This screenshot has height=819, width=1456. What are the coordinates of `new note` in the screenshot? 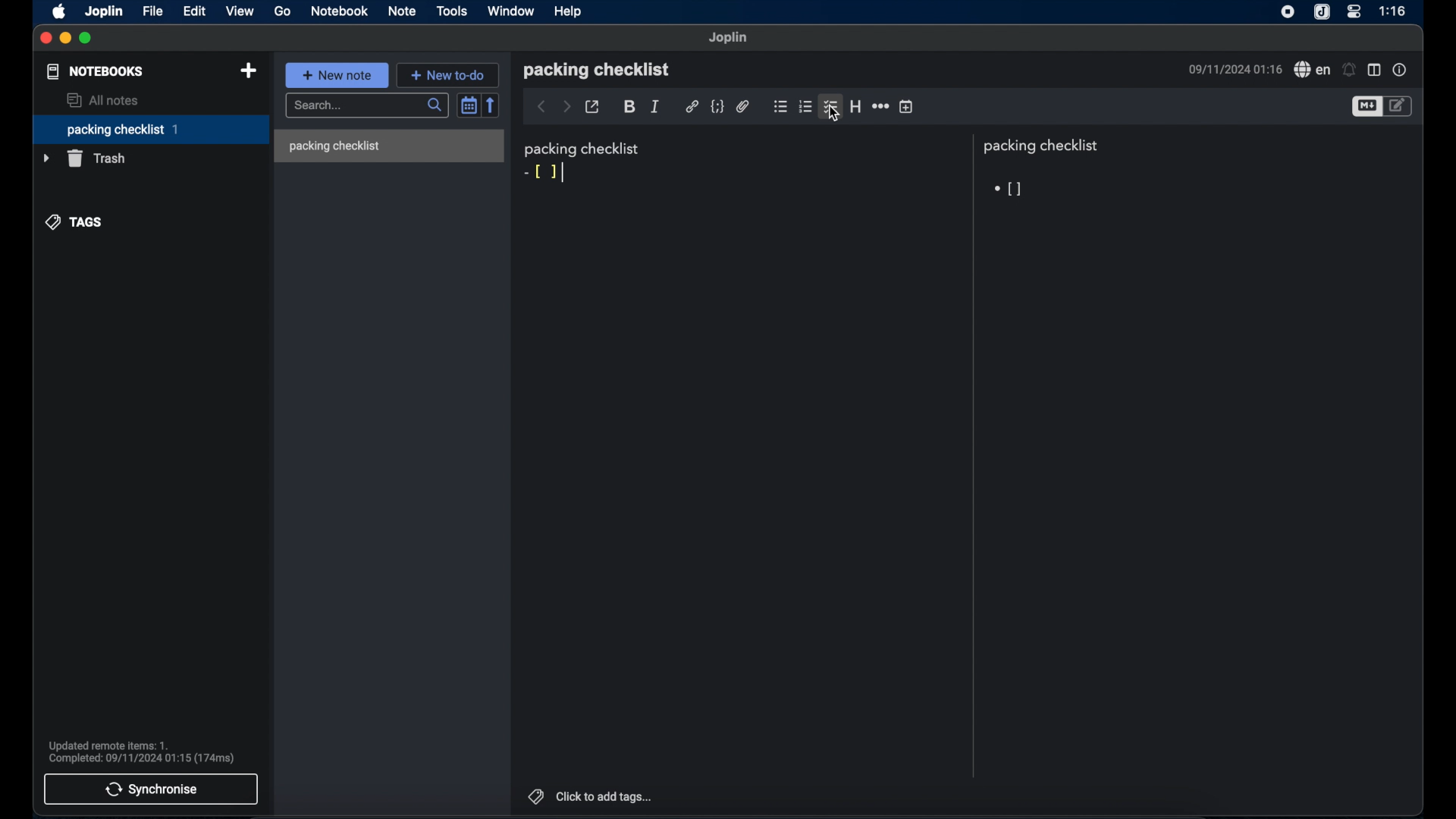 It's located at (337, 75).